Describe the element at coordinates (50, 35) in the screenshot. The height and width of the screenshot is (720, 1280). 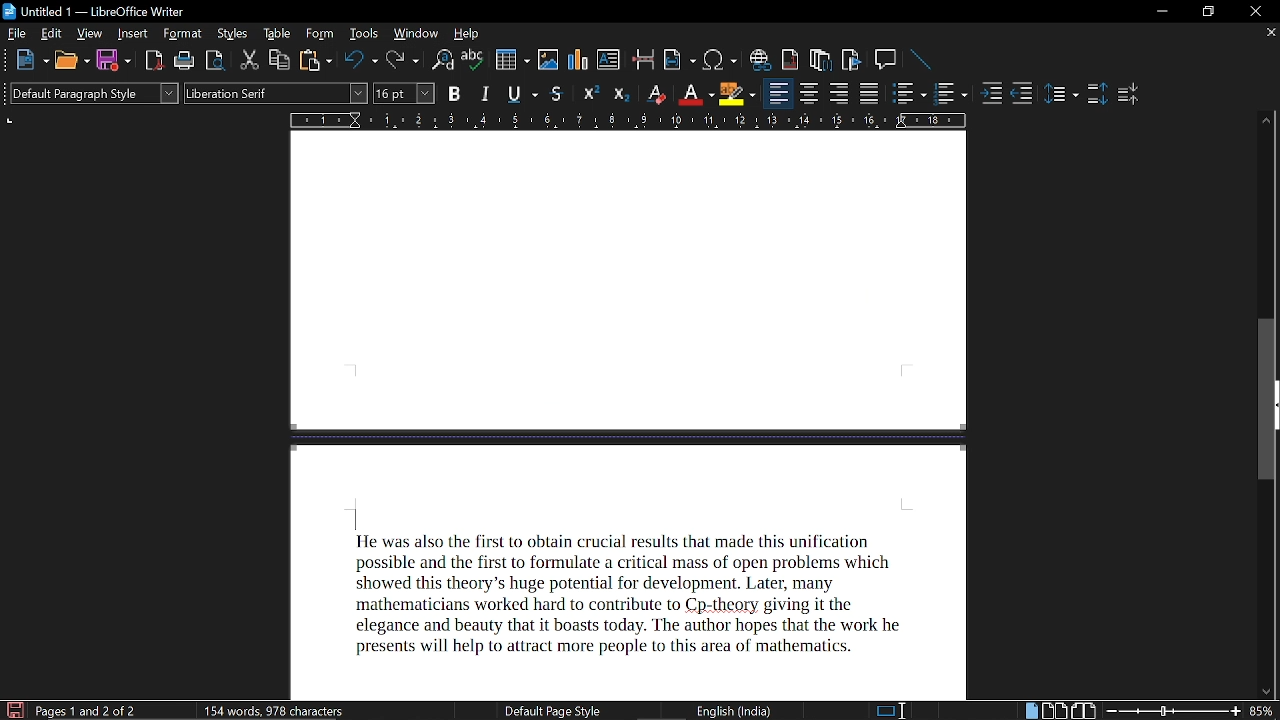
I see `Edit` at that location.